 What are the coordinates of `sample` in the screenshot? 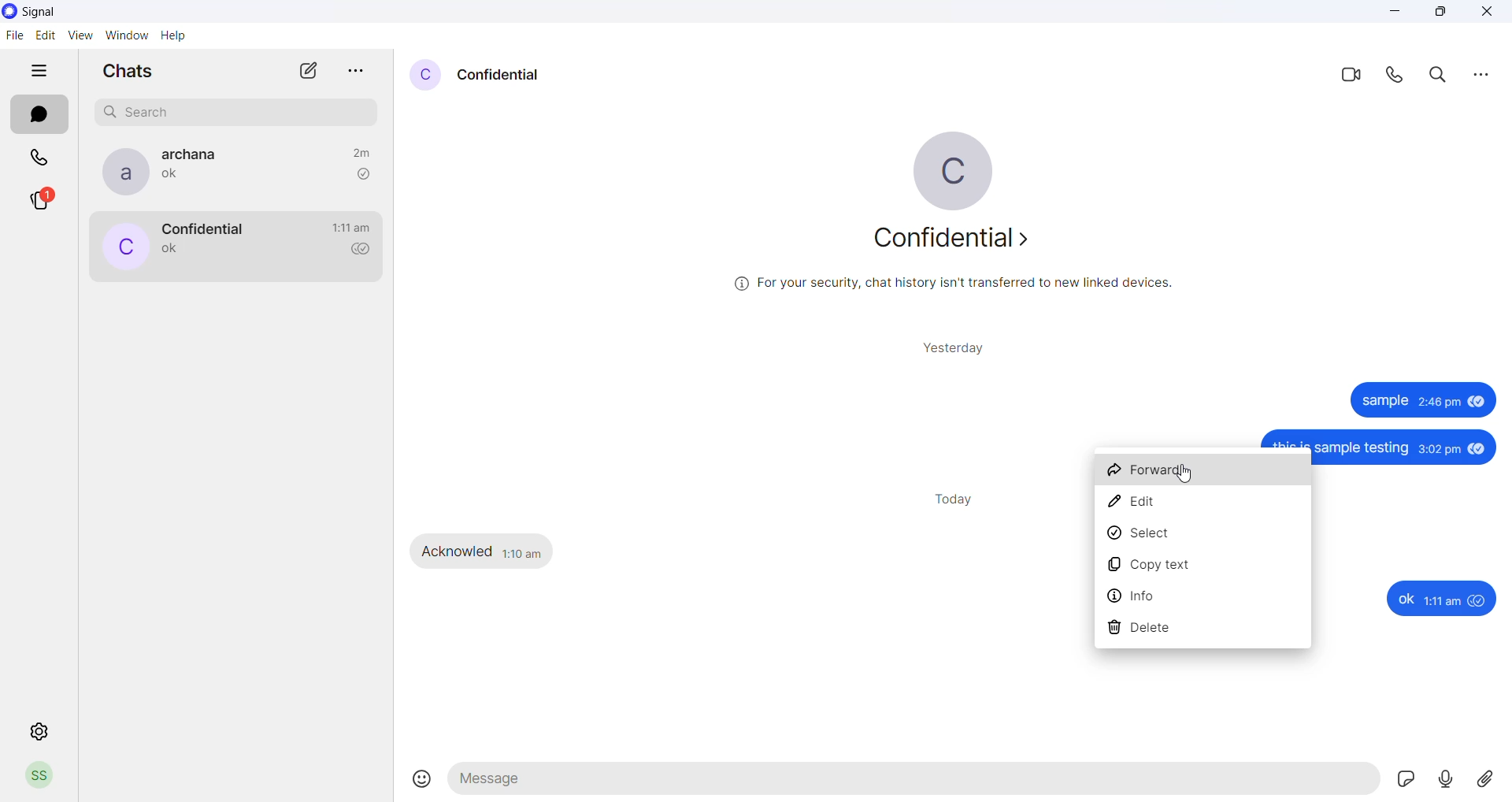 It's located at (1383, 402).